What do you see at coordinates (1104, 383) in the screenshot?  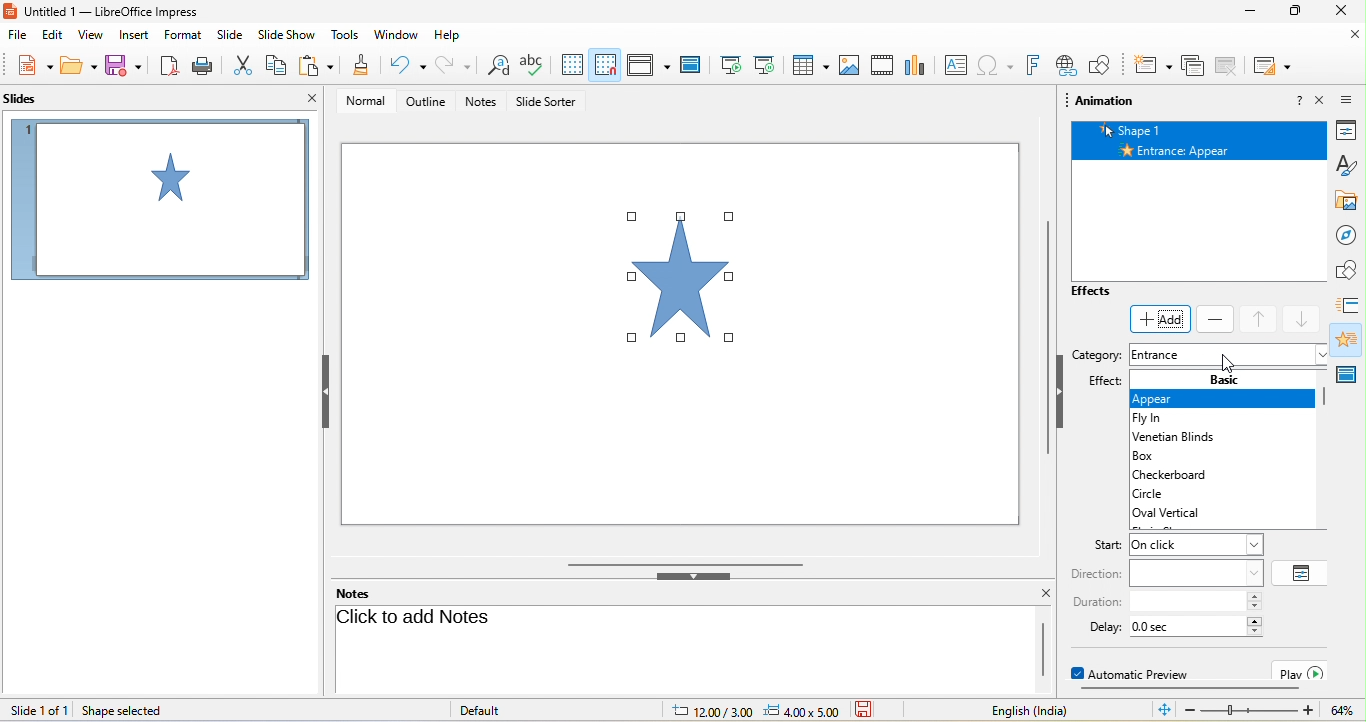 I see `effect` at bounding box center [1104, 383].